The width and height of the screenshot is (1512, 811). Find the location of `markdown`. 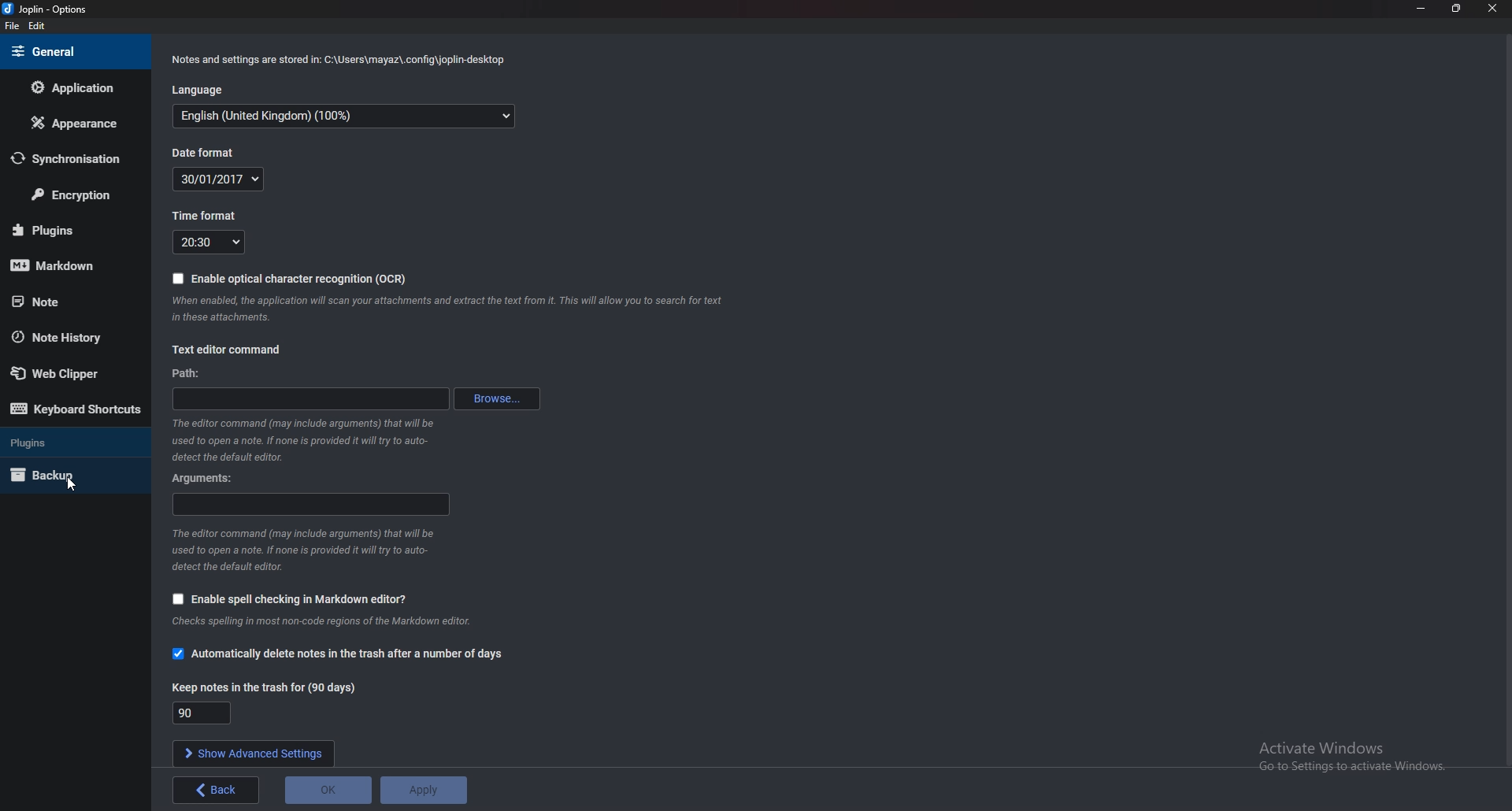

markdown is located at coordinates (69, 264).